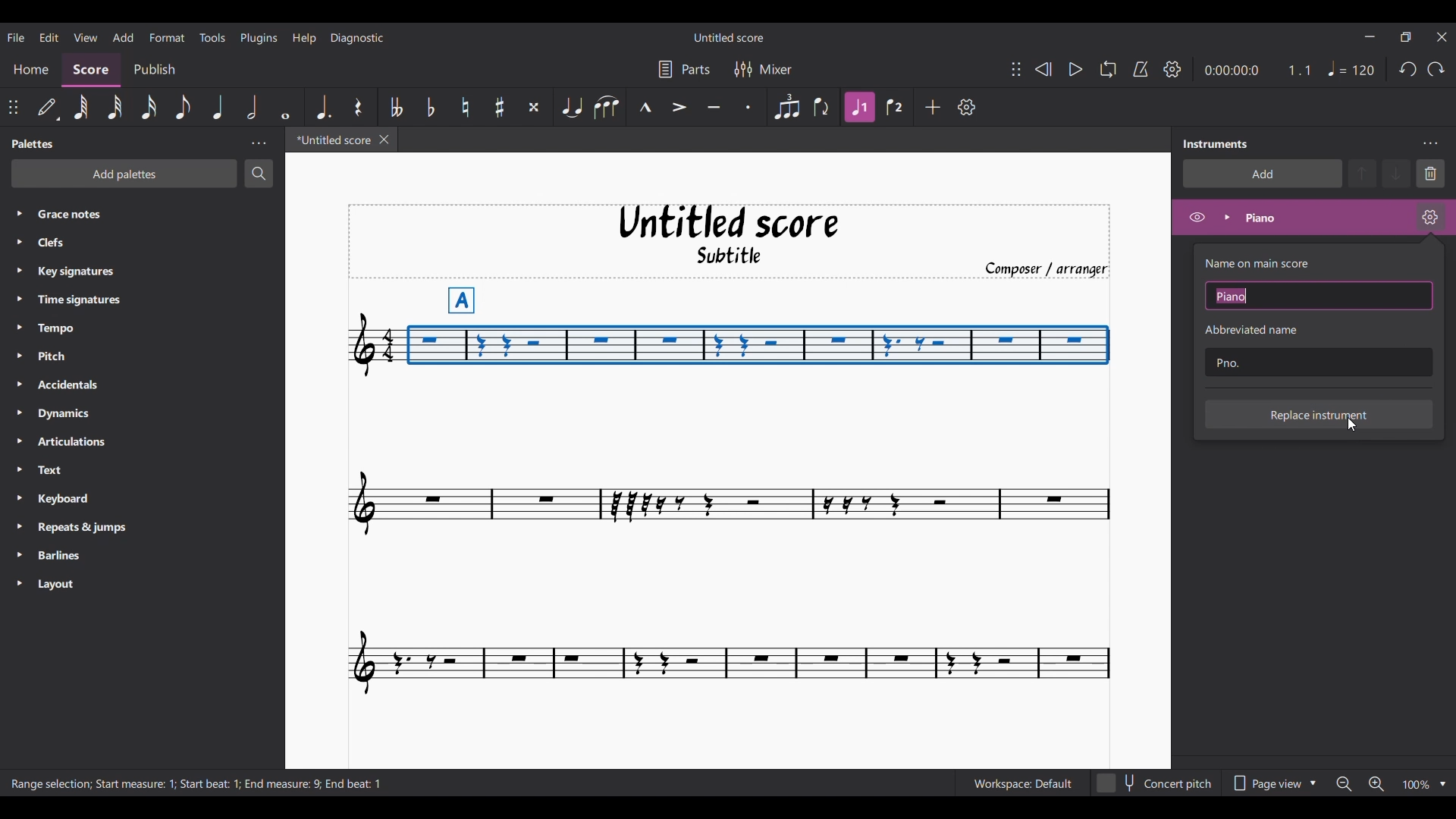 Image resolution: width=1456 pixels, height=819 pixels. I want to click on Zoom factor, so click(1417, 785).